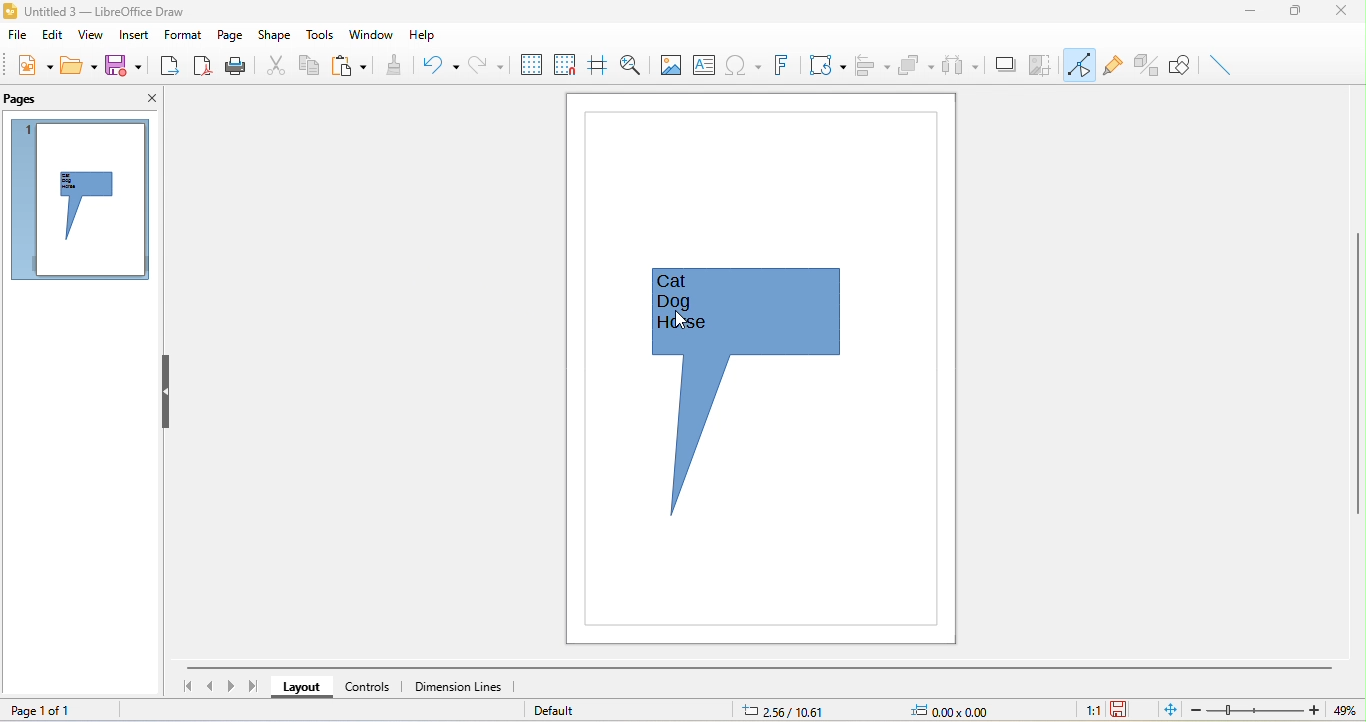  I want to click on page 1, so click(76, 200).